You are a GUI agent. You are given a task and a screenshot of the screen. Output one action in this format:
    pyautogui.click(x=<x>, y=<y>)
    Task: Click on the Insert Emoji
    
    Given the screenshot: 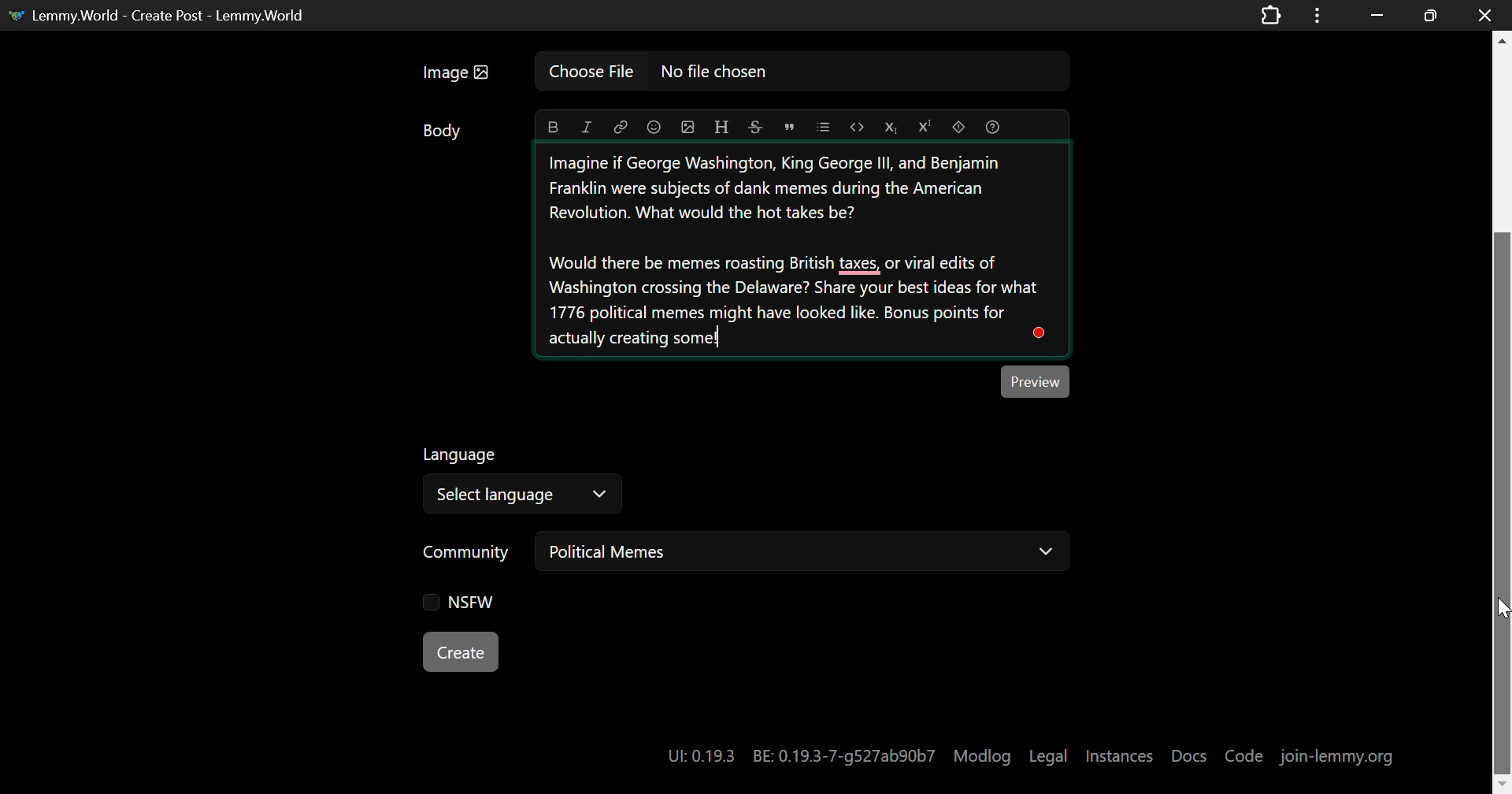 What is the action you would take?
    pyautogui.click(x=655, y=128)
    